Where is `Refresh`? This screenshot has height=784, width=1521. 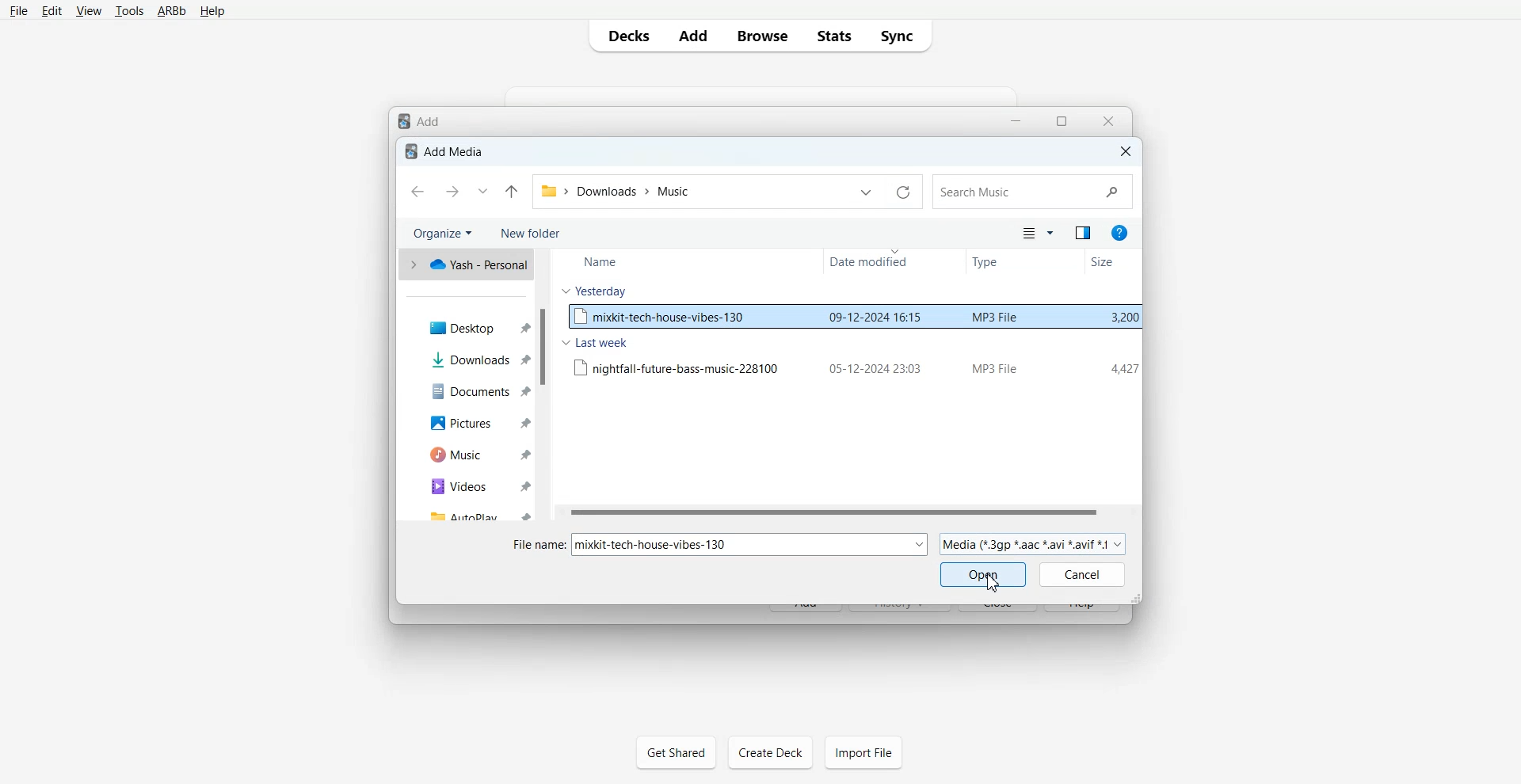 Refresh is located at coordinates (903, 192).